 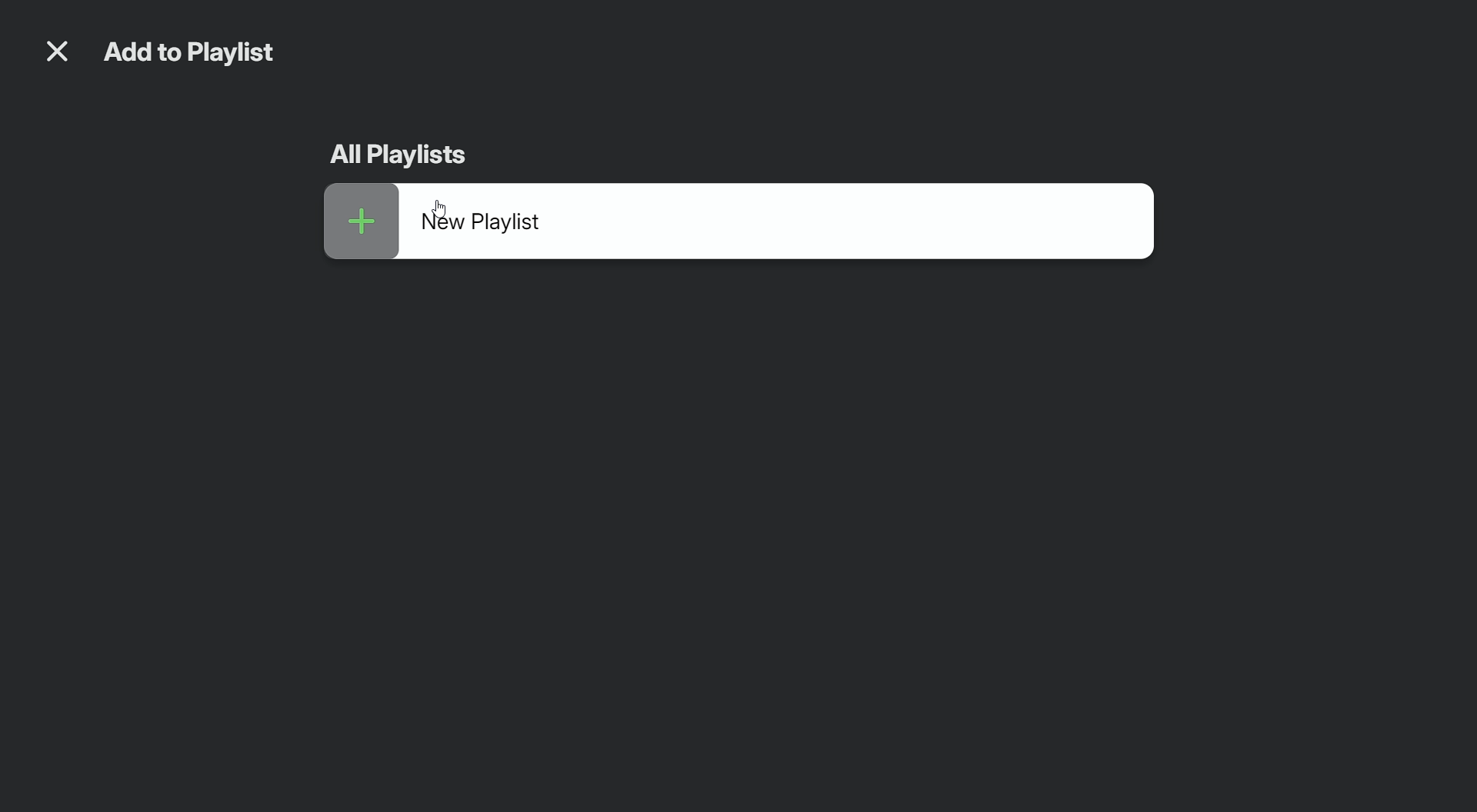 I want to click on New Playlist, so click(x=735, y=229).